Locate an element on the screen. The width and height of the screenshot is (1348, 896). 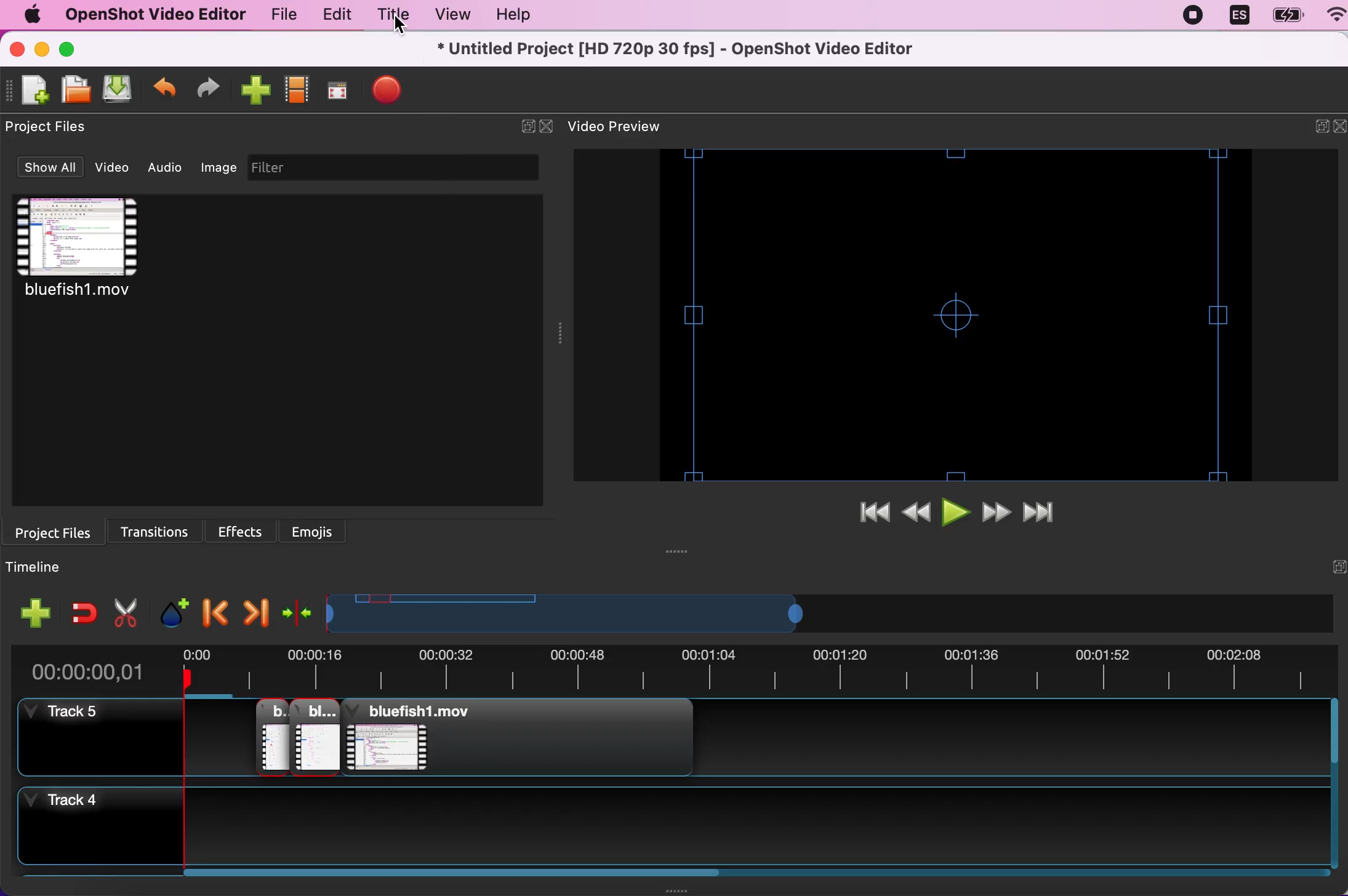
battery is located at coordinates (1283, 16).